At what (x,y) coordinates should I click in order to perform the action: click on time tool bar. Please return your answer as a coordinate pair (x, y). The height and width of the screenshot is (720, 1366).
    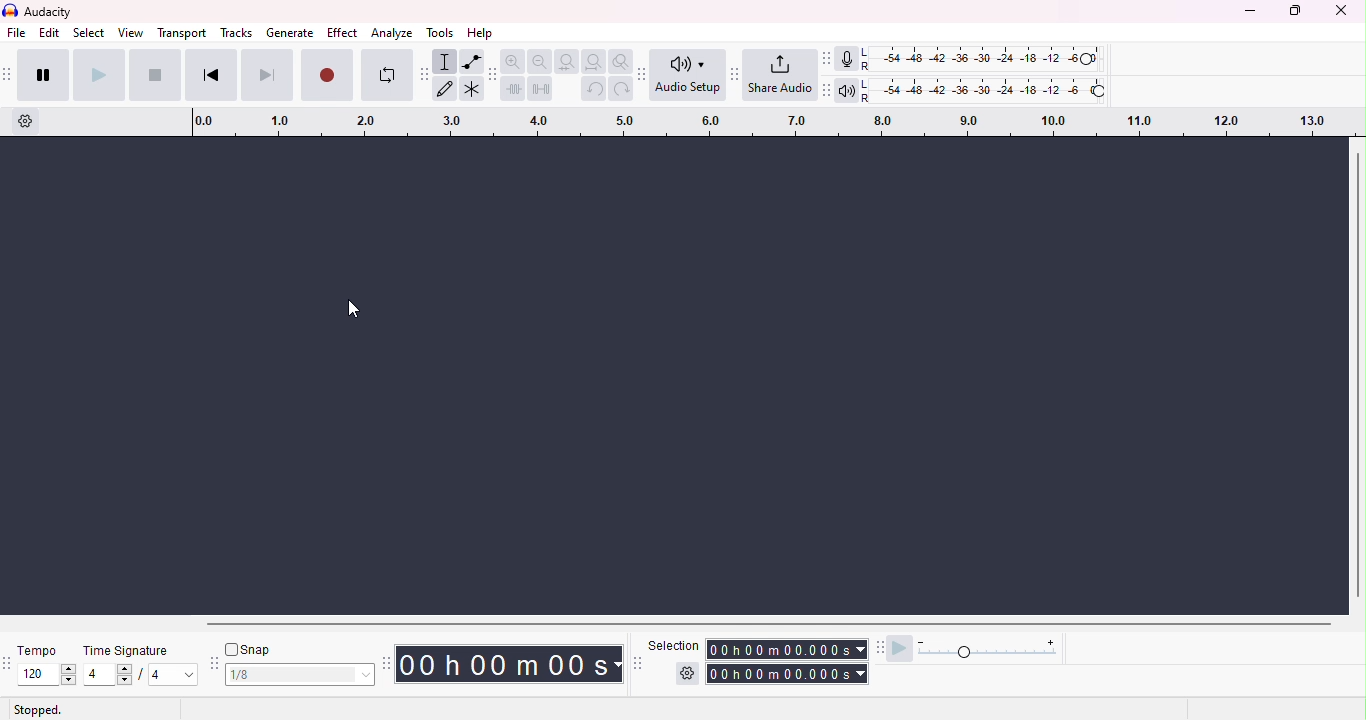
    Looking at the image, I should click on (388, 662).